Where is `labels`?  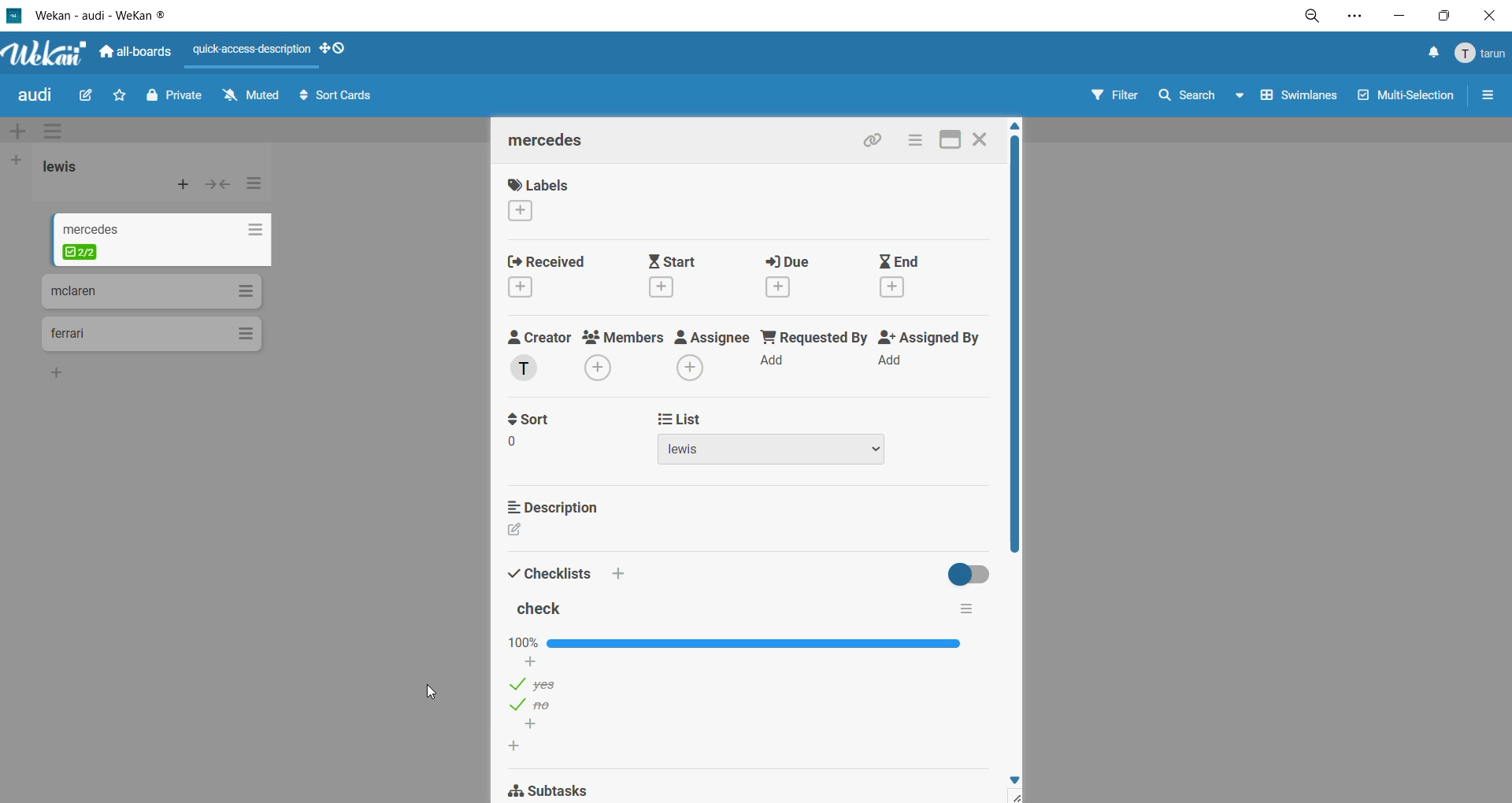 labels is located at coordinates (551, 197).